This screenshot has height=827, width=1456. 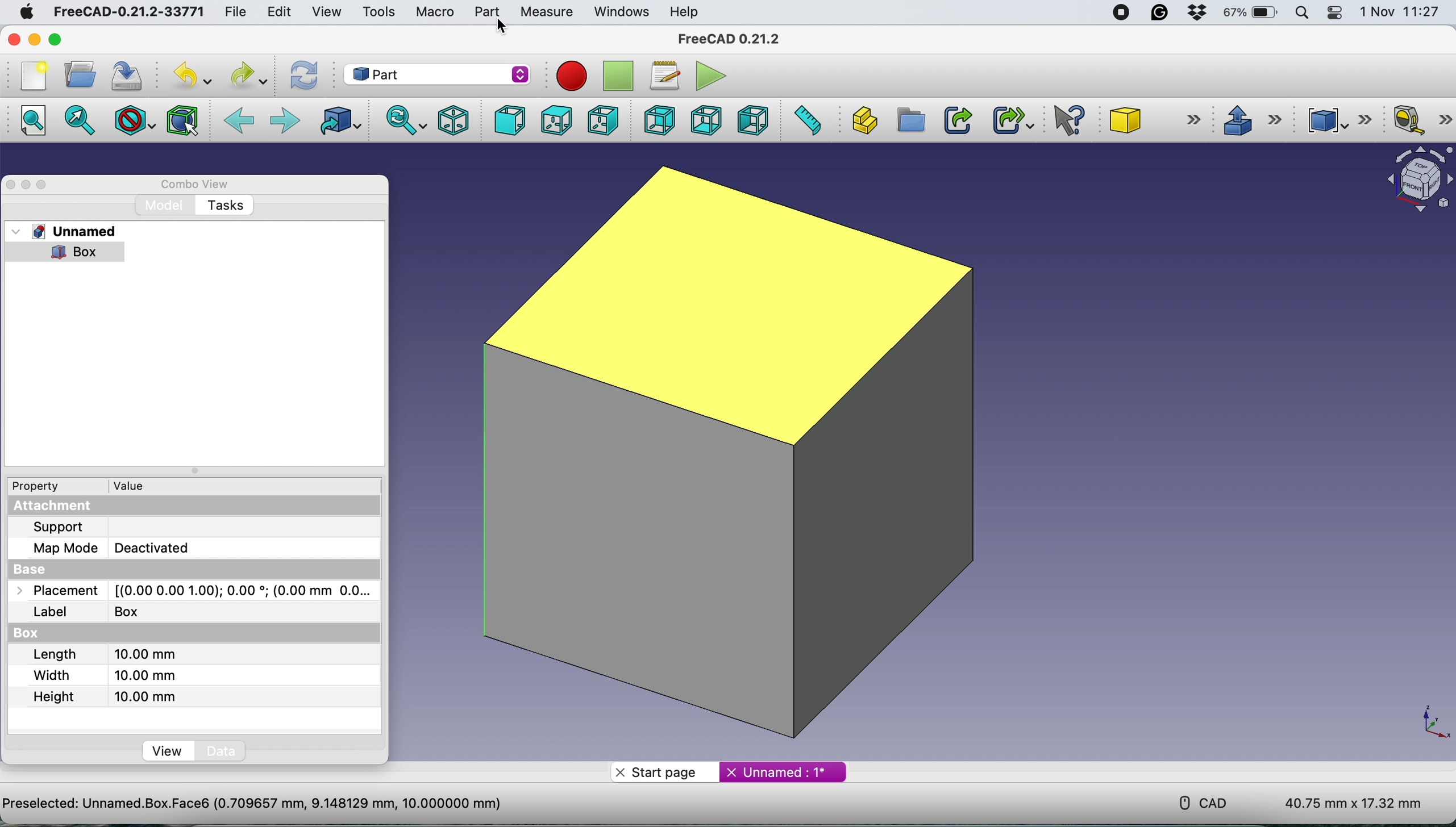 I want to click on xy coordinate, so click(x=1430, y=719).